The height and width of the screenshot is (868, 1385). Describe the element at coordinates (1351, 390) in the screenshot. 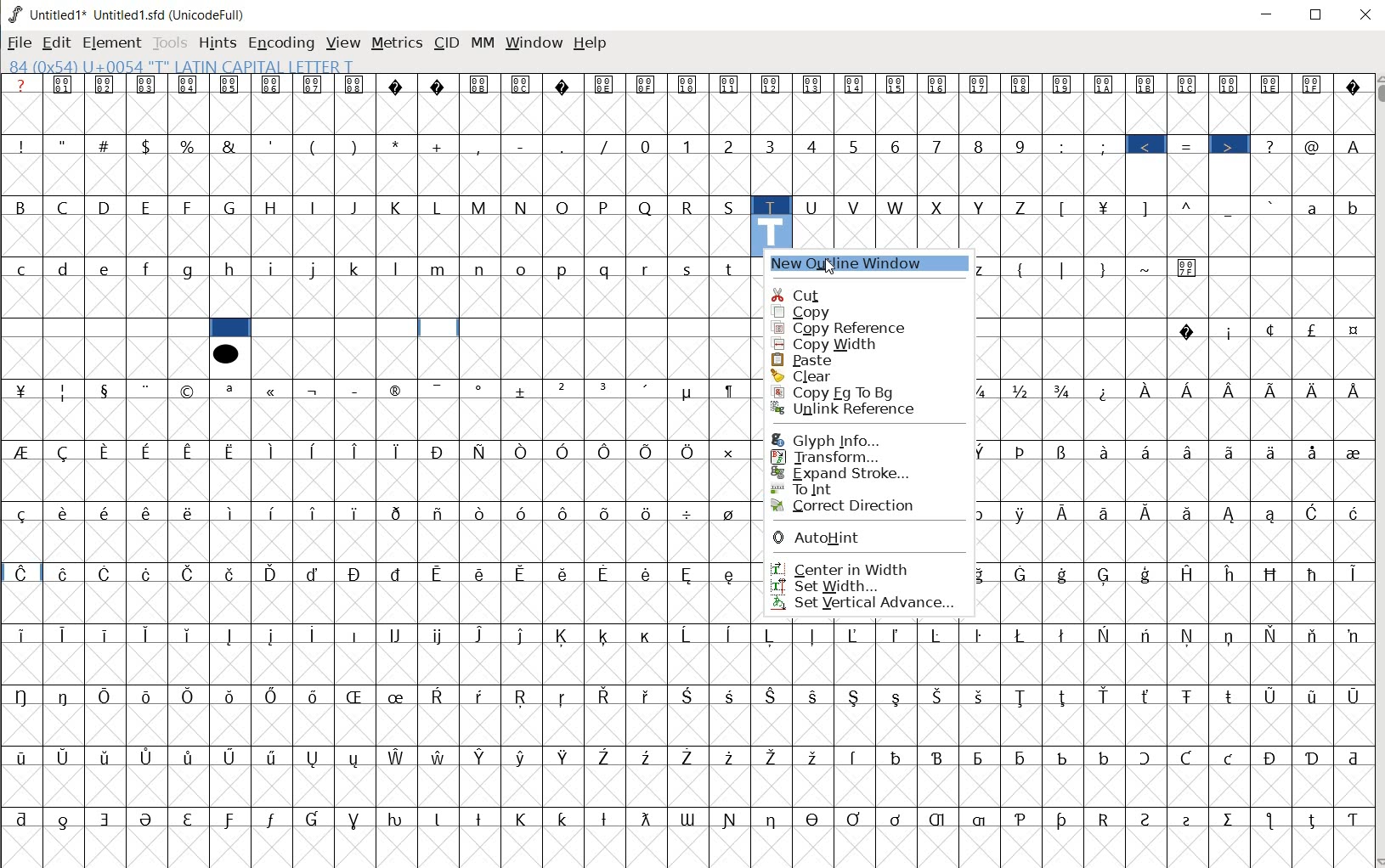

I see `Symbol` at that location.